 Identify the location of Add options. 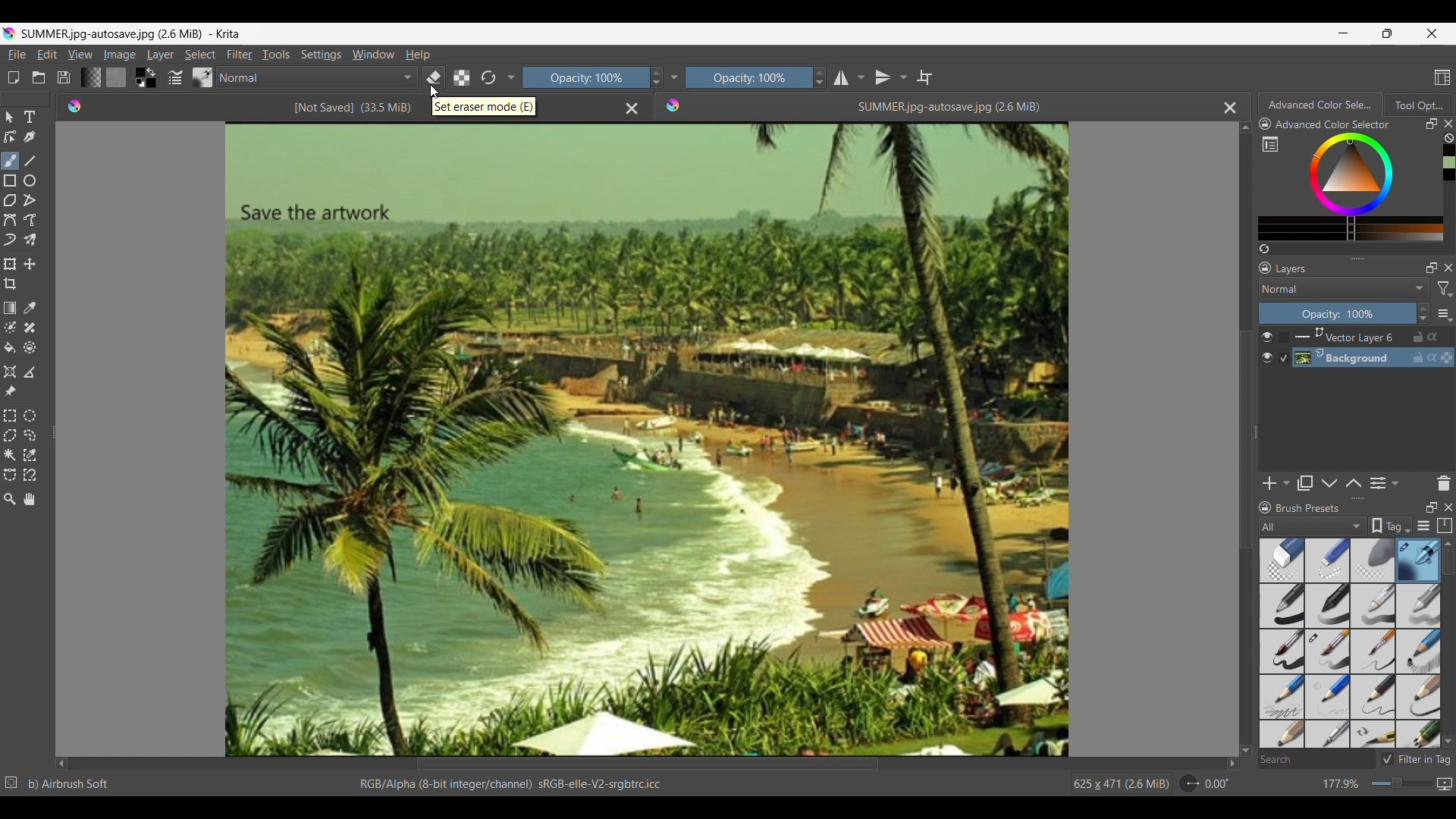
(1276, 483).